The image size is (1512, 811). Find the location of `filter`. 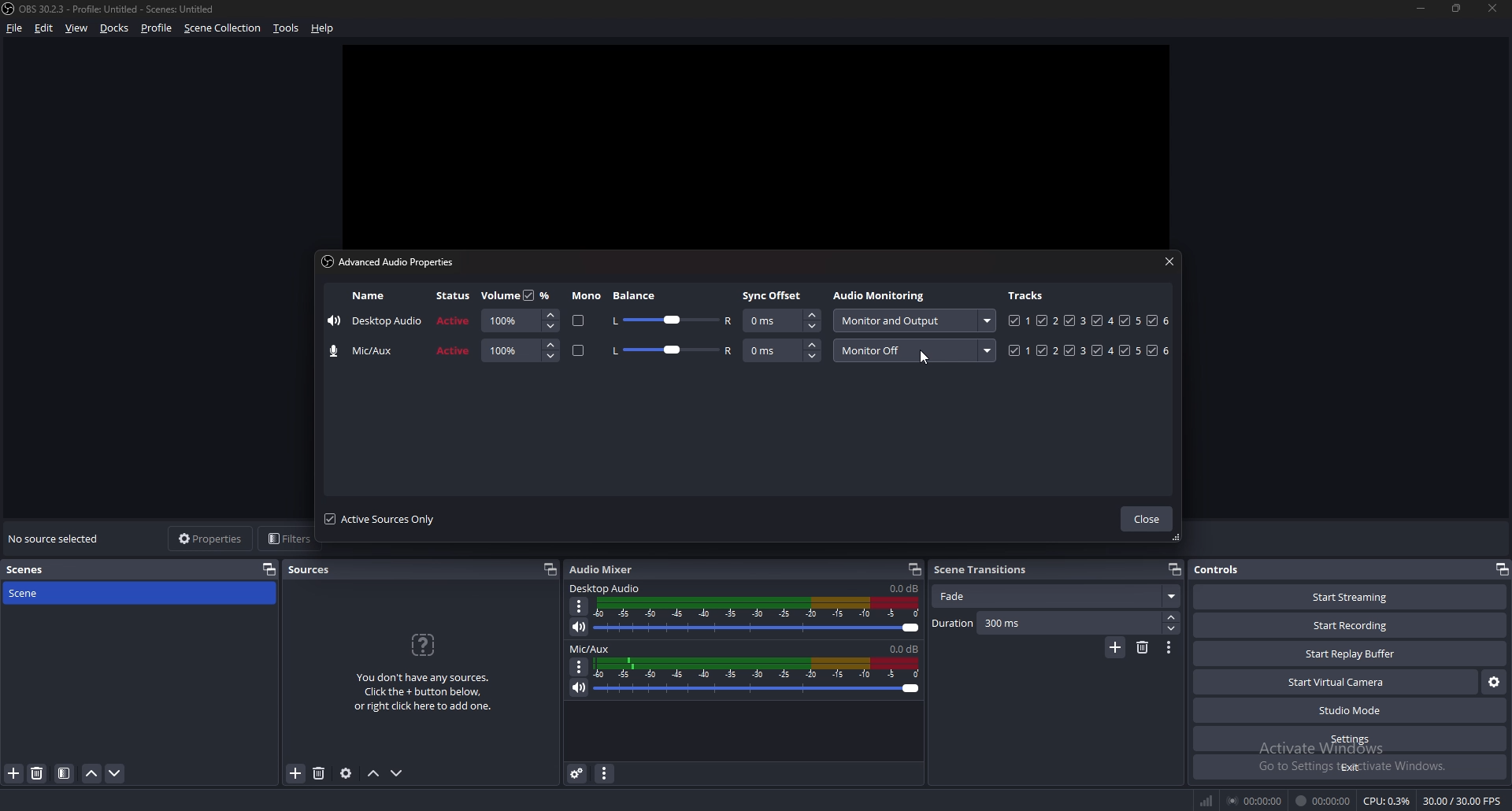

filter is located at coordinates (65, 773).